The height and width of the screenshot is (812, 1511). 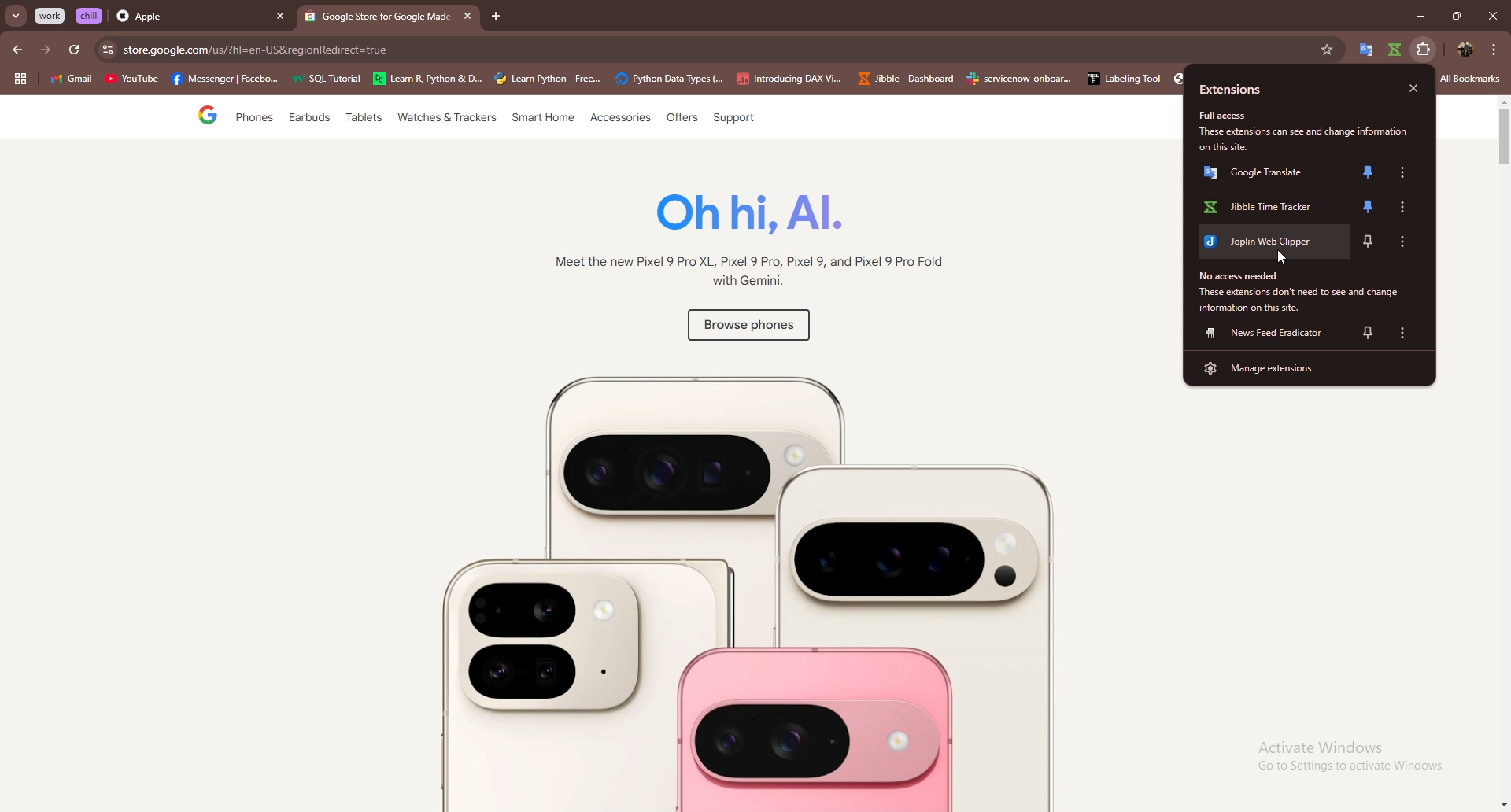 What do you see at coordinates (1368, 332) in the screenshot?
I see `pin` at bounding box center [1368, 332].